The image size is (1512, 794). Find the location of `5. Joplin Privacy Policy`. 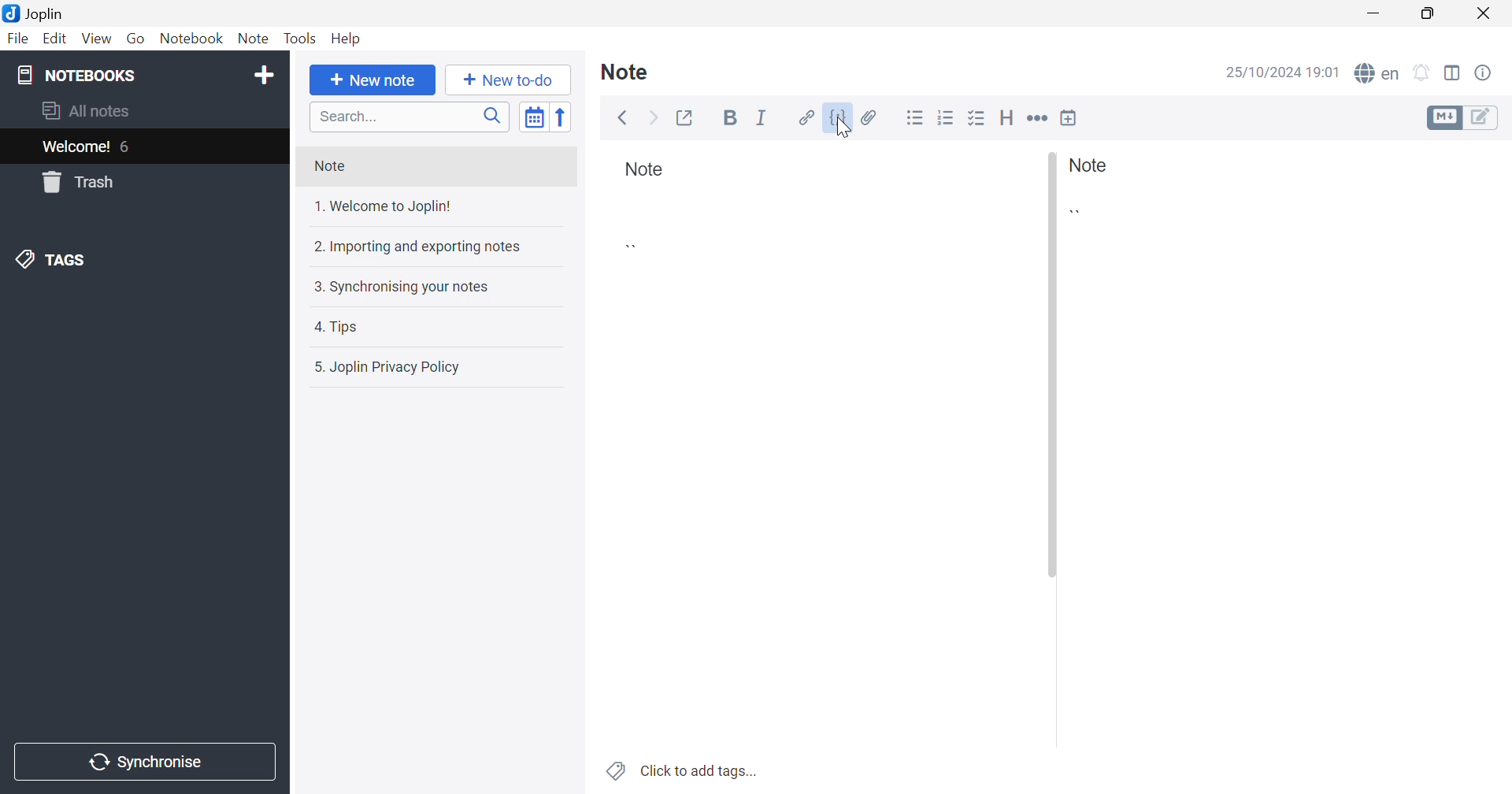

5. Joplin Privacy Policy is located at coordinates (385, 368).